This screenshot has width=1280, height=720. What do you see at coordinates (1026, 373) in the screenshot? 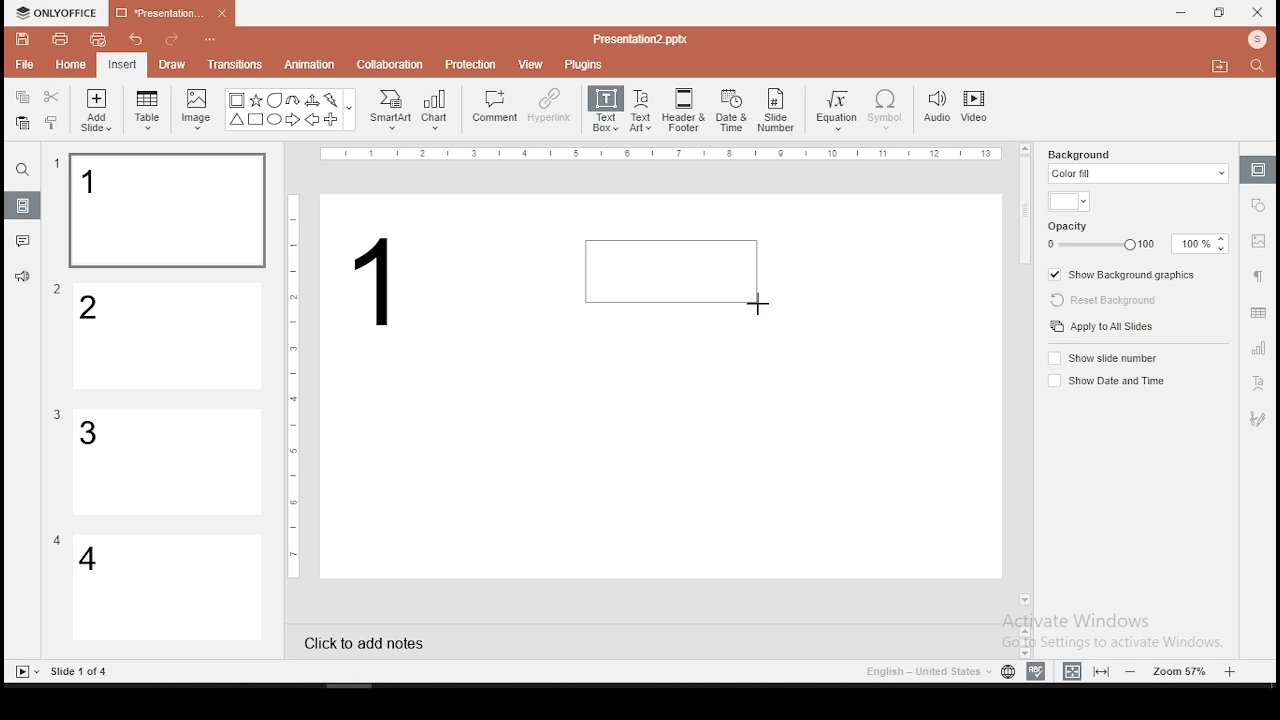
I see `scroll bar` at bounding box center [1026, 373].